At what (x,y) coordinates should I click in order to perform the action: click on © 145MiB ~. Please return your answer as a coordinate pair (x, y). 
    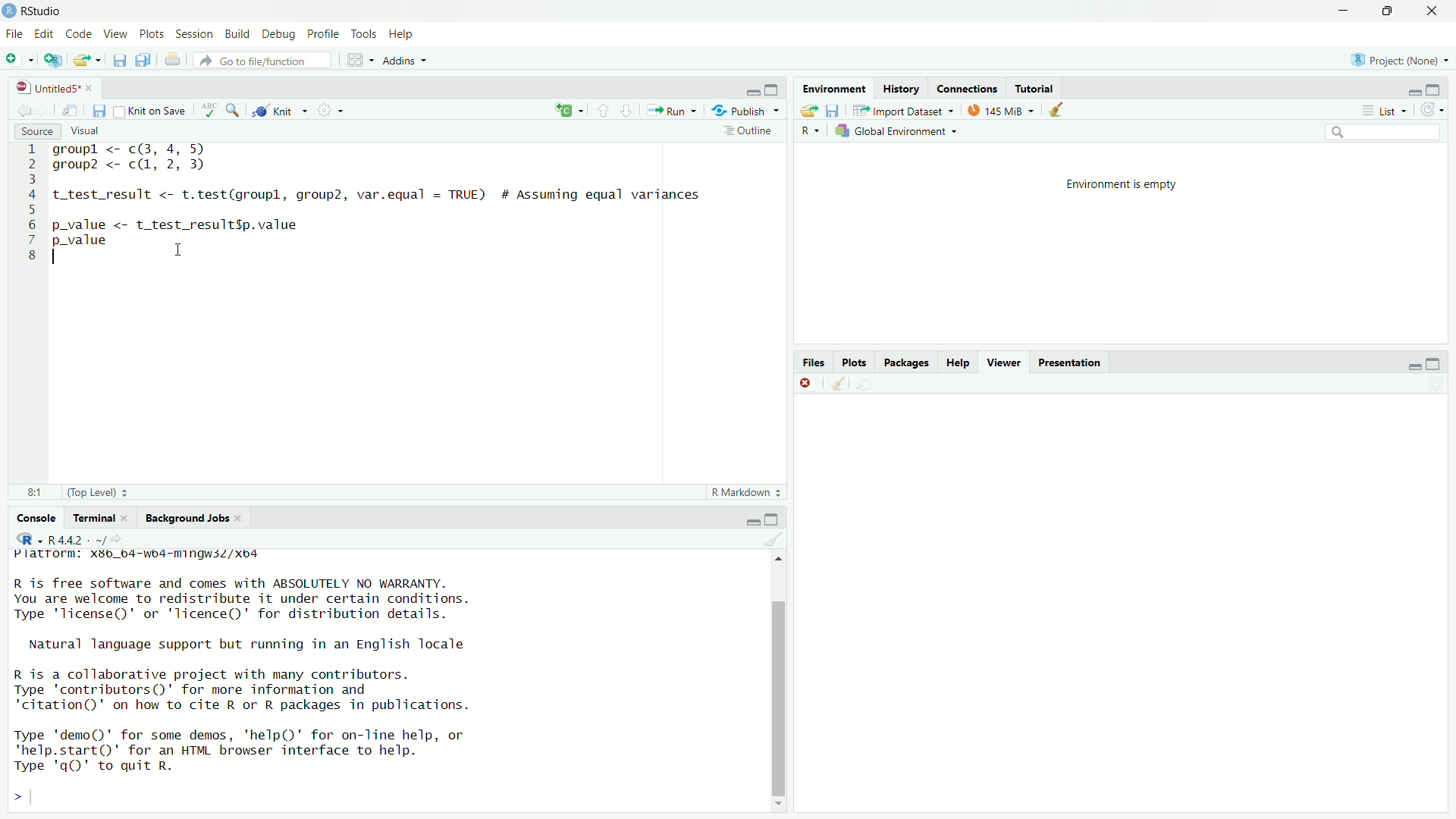
    Looking at the image, I should click on (999, 110).